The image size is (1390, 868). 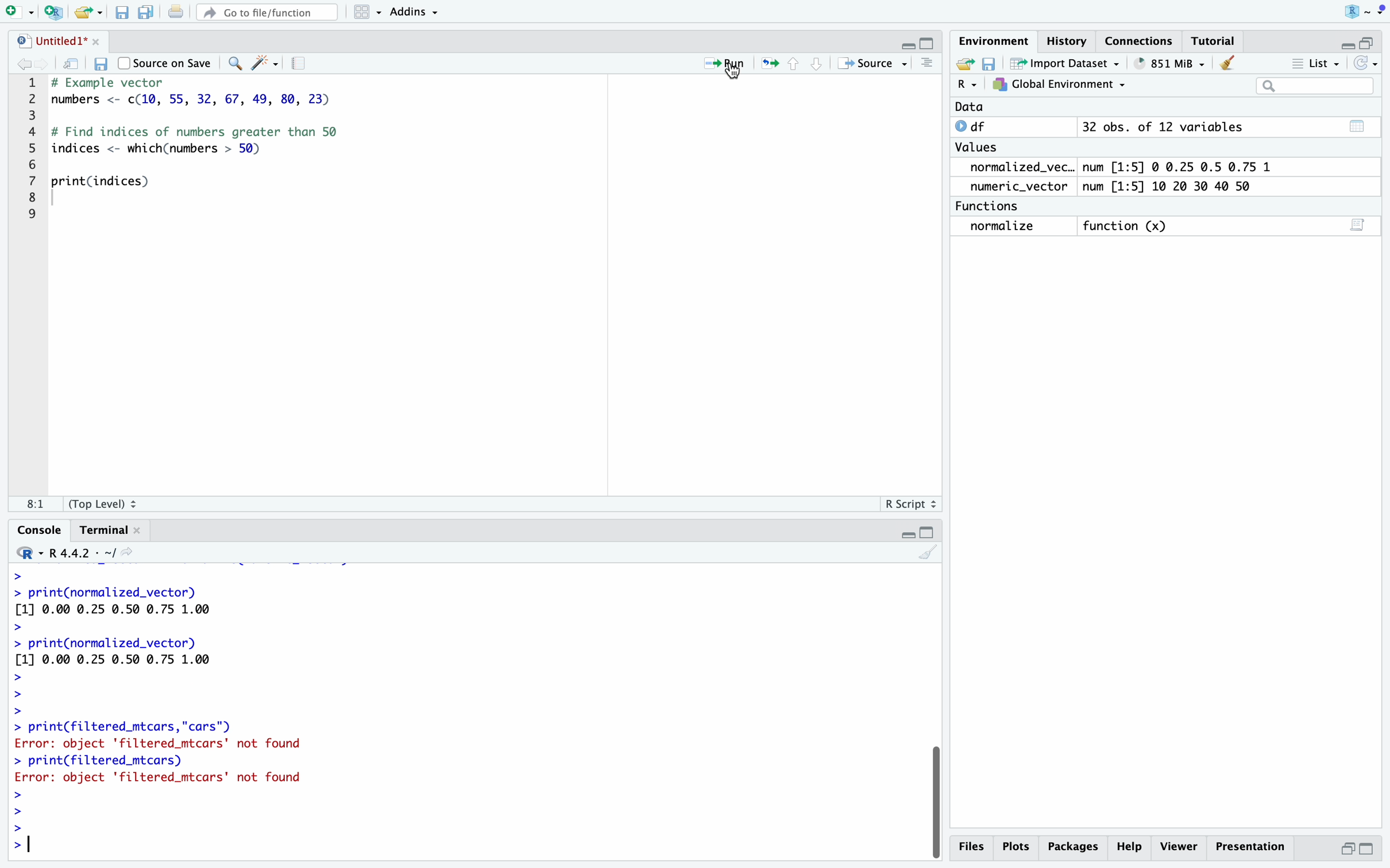 I want to click on num [1:5] © 0.25 0.5 0.75 1, so click(x=1185, y=165).